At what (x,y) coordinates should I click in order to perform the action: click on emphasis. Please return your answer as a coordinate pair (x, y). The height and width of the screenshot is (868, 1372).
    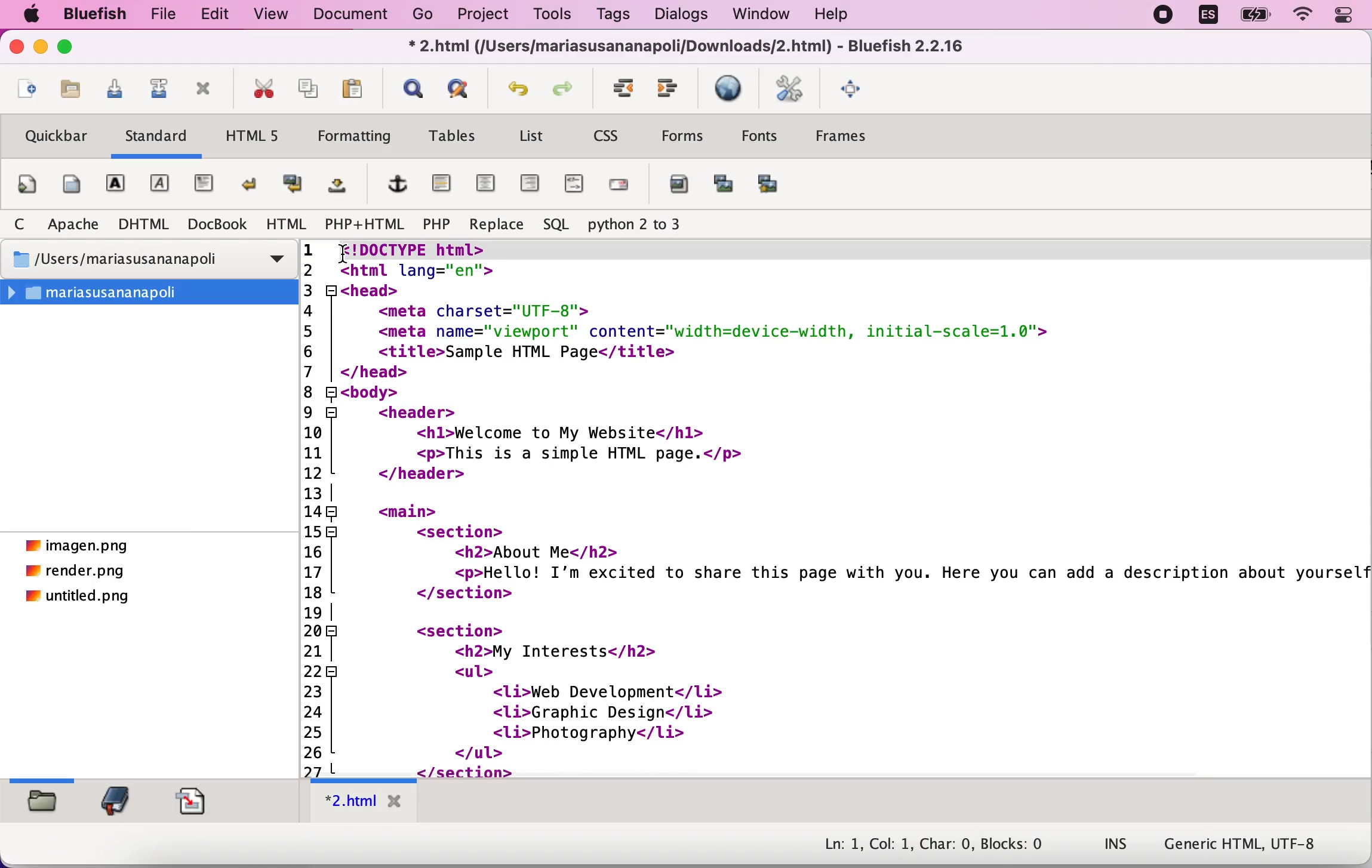
    Looking at the image, I should click on (159, 184).